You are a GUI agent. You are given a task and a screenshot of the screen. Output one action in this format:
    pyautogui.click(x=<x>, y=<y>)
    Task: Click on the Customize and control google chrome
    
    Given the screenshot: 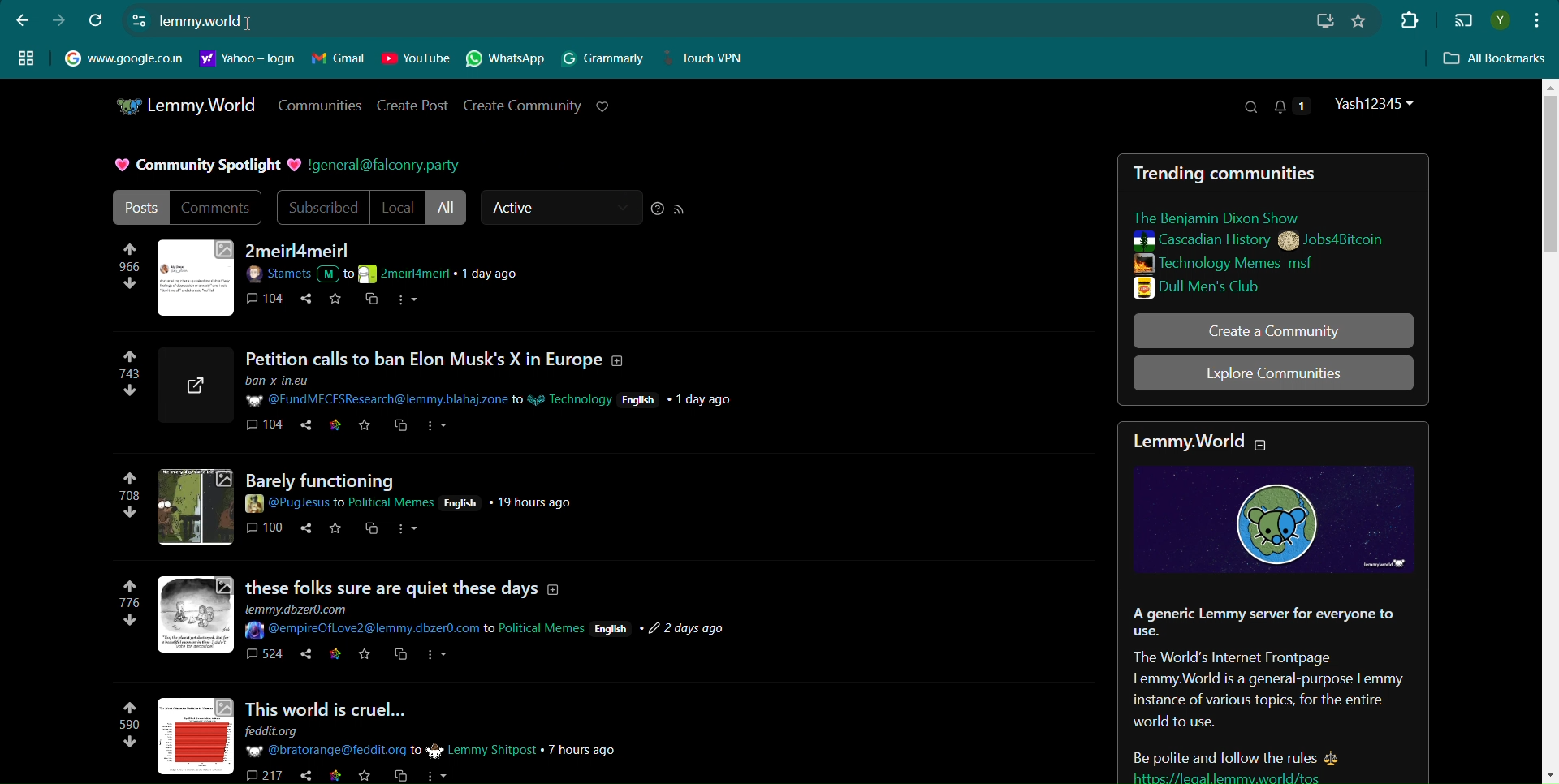 What is the action you would take?
    pyautogui.click(x=1539, y=19)
    